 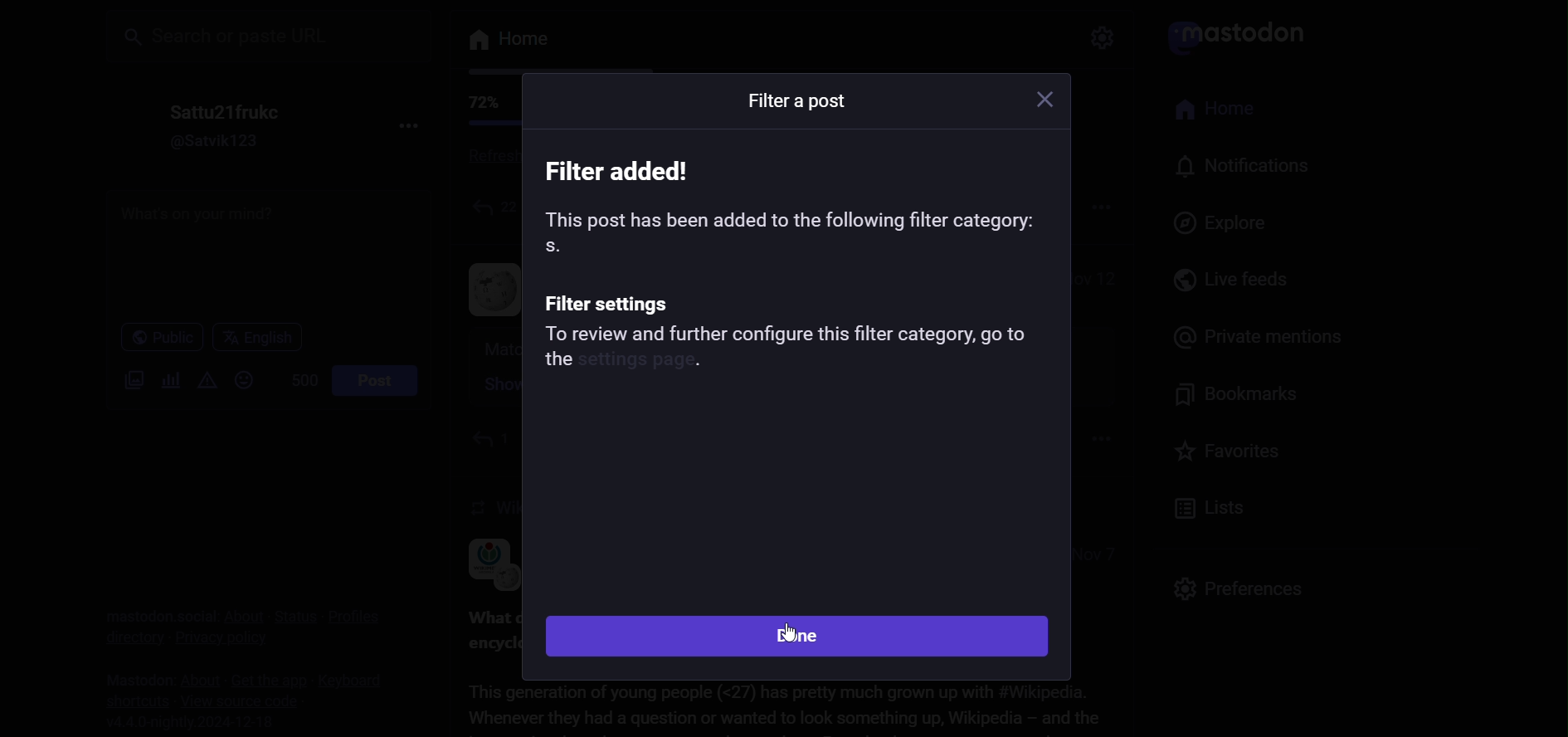 I want to click on 72%, so click(x=480, y=103).